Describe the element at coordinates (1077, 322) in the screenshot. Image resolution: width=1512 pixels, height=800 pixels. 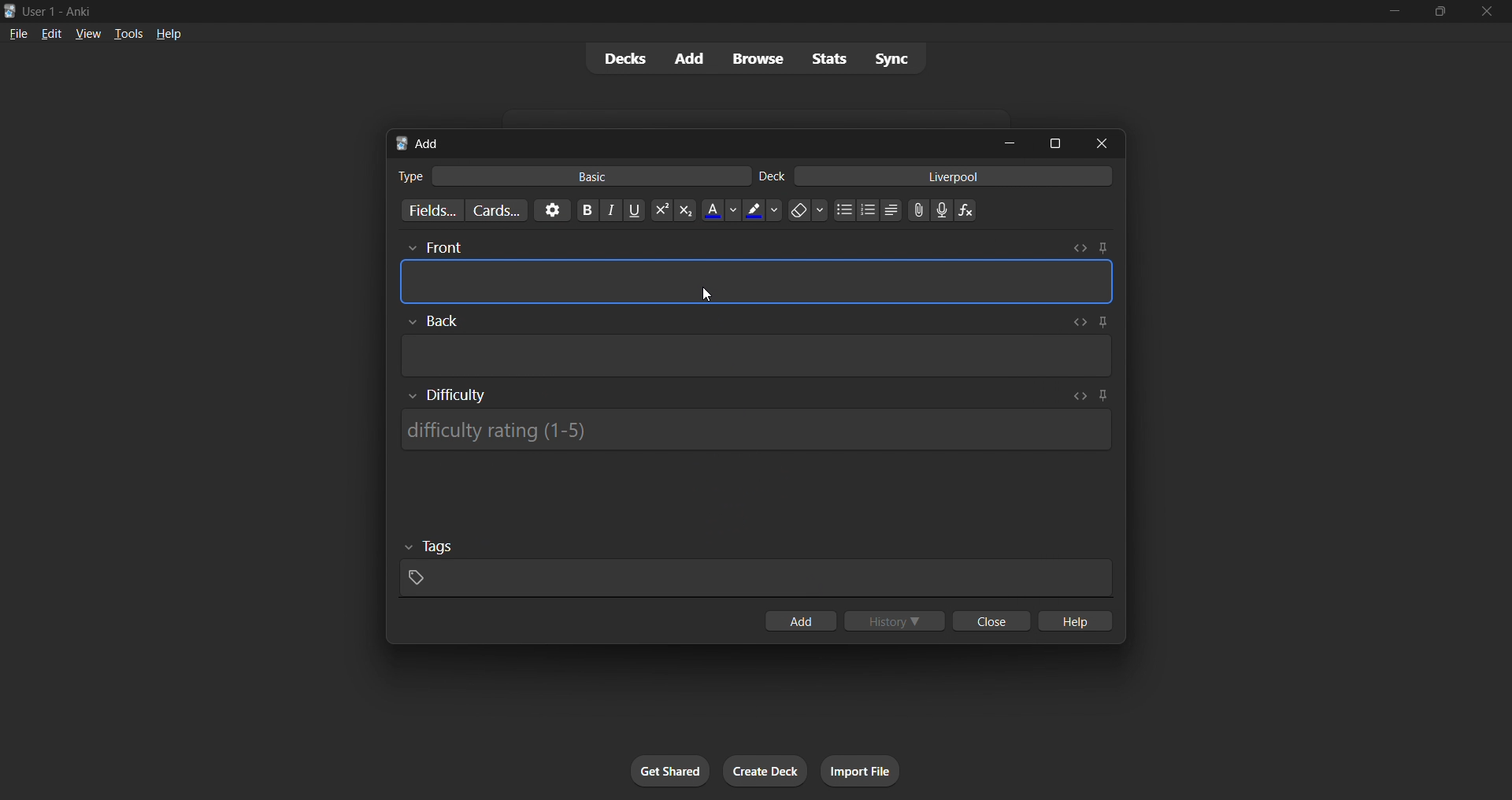
I see `Toggle HTML editor` at that location.